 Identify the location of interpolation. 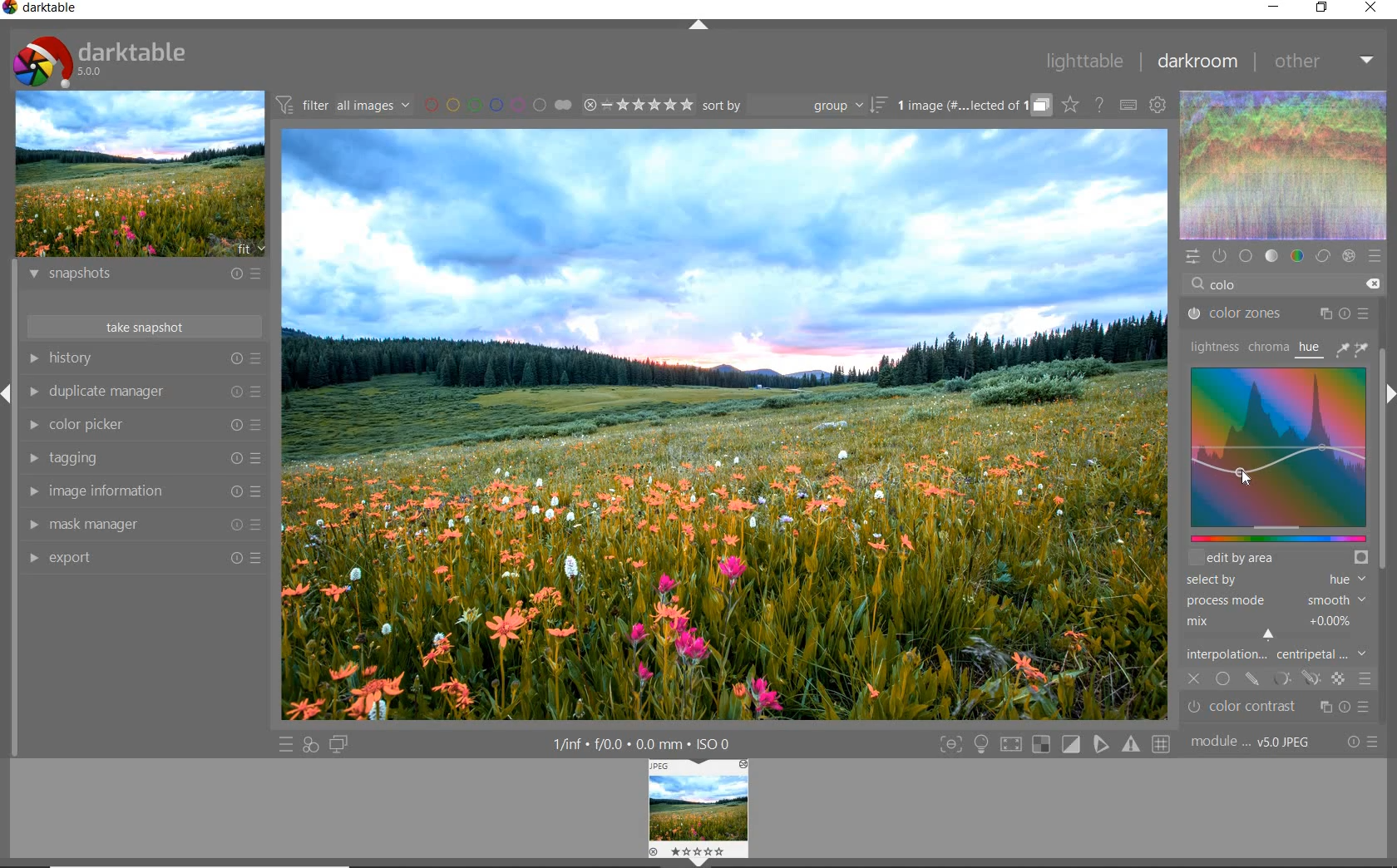
(1277, 655).